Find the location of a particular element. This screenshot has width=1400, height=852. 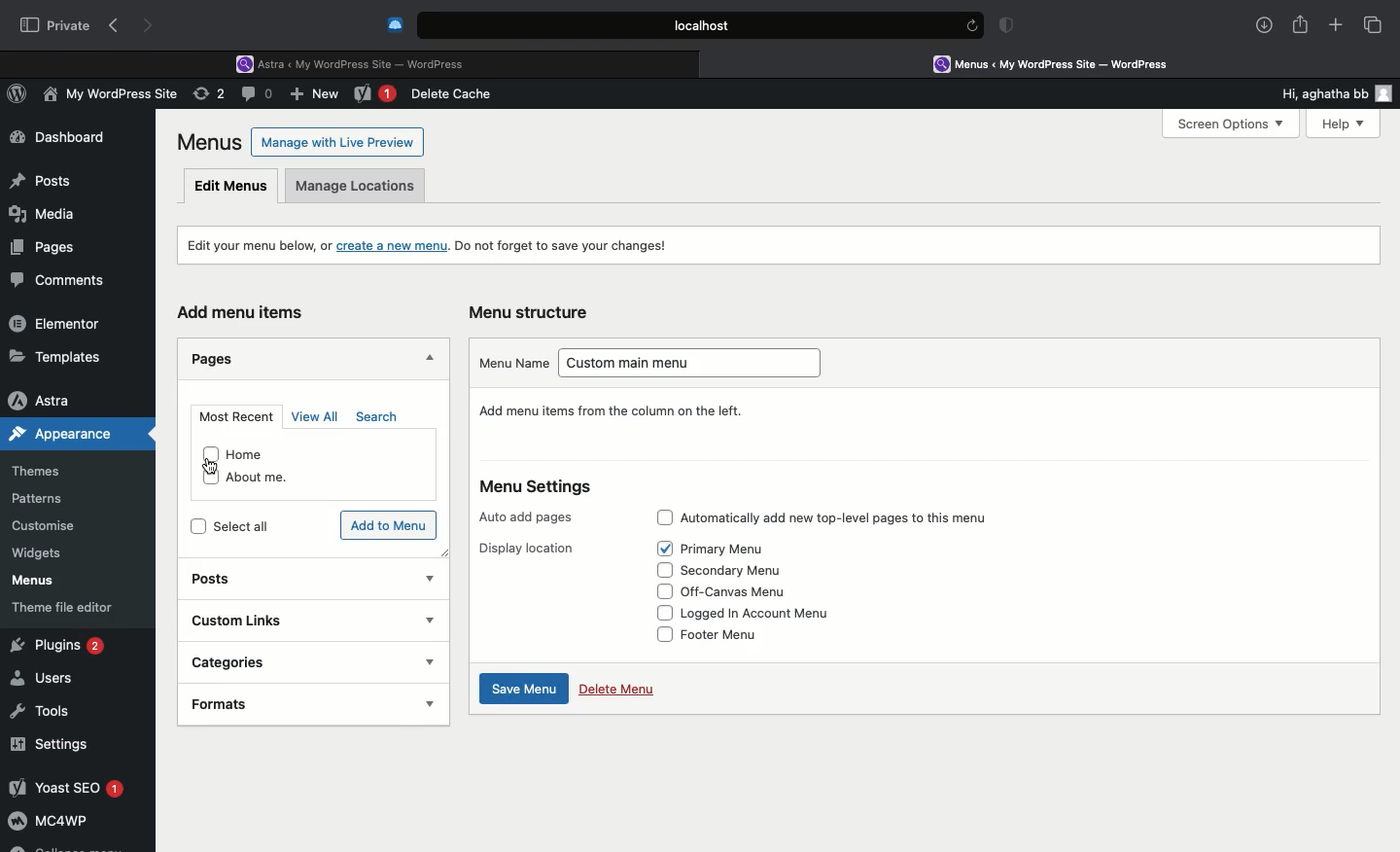

Tabs is located at coordinates (1374, 24).